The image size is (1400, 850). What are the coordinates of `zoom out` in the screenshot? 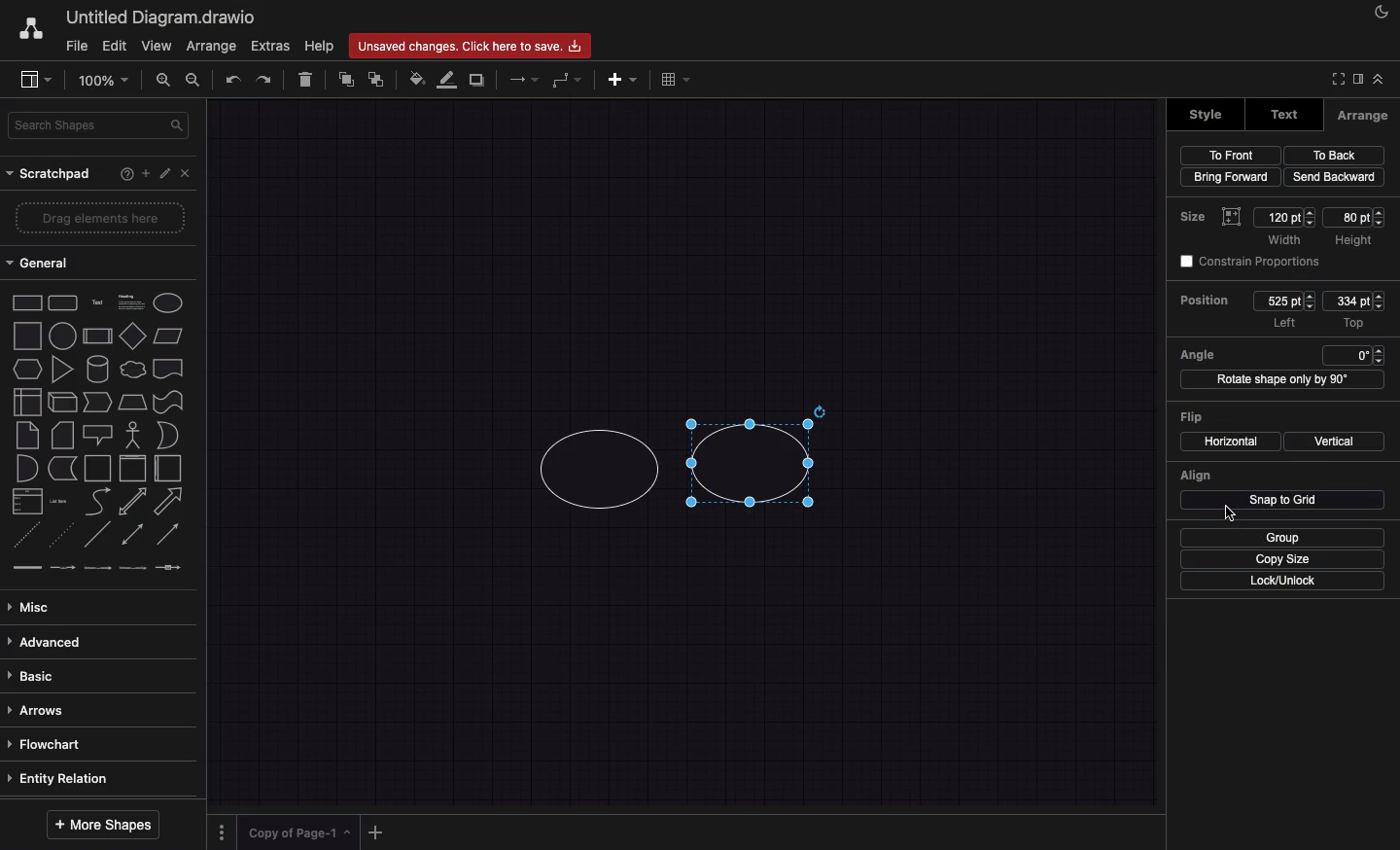 It's located at (194, 80).